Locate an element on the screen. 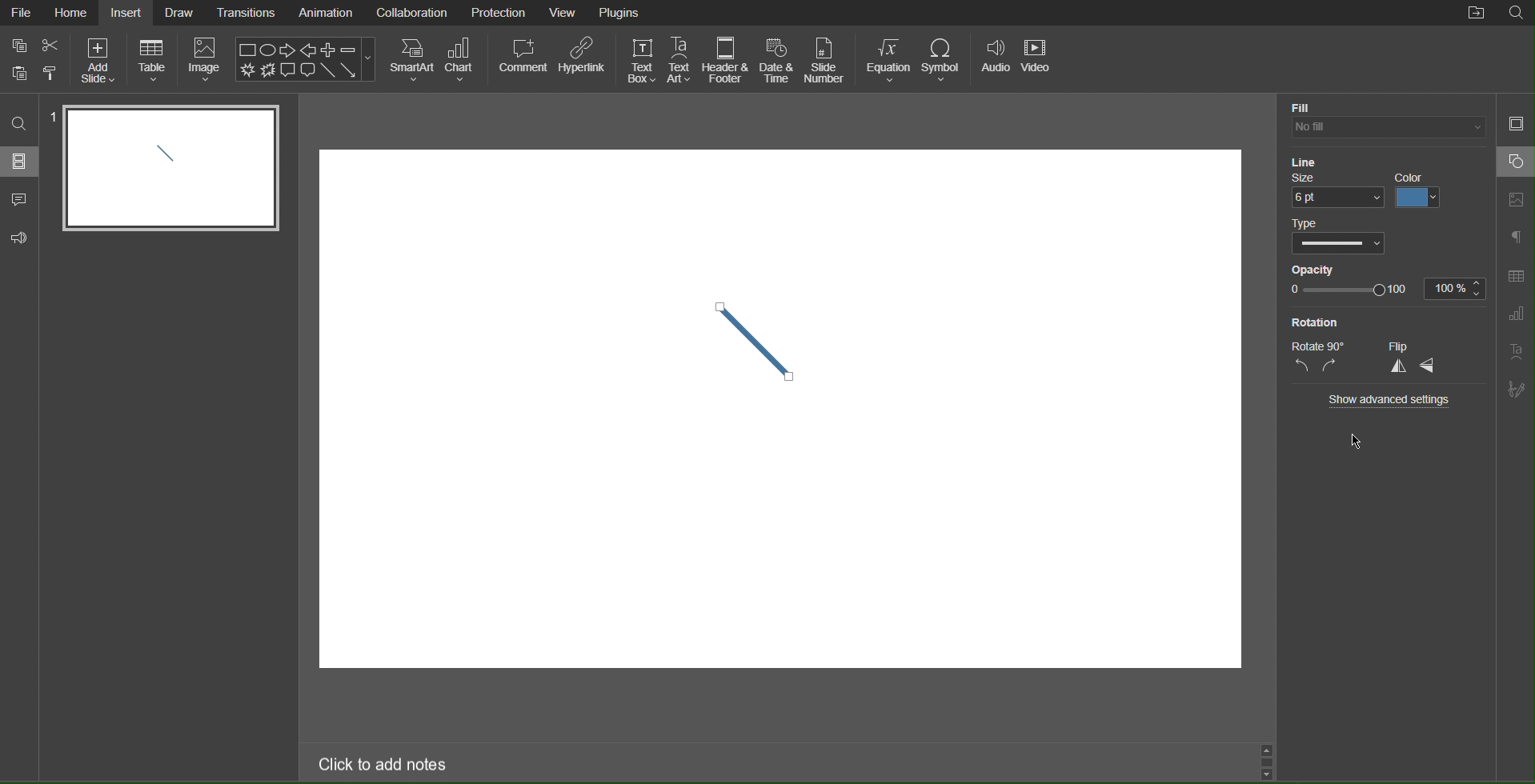 The image size is (1535, 784). Text Box is located at coordinates (639, 59).